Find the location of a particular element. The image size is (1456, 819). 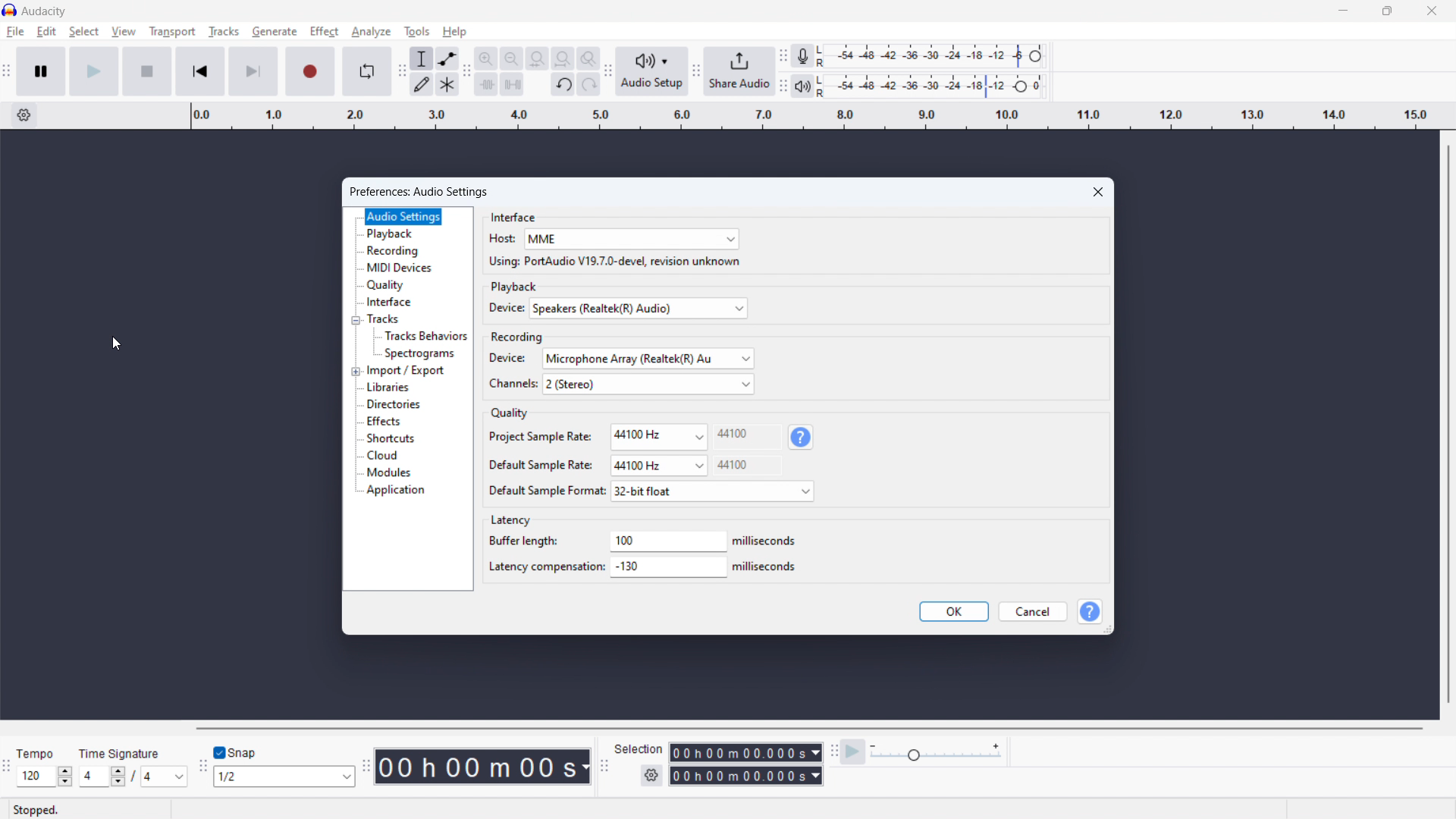

start time is located at coordinates (745, 752).